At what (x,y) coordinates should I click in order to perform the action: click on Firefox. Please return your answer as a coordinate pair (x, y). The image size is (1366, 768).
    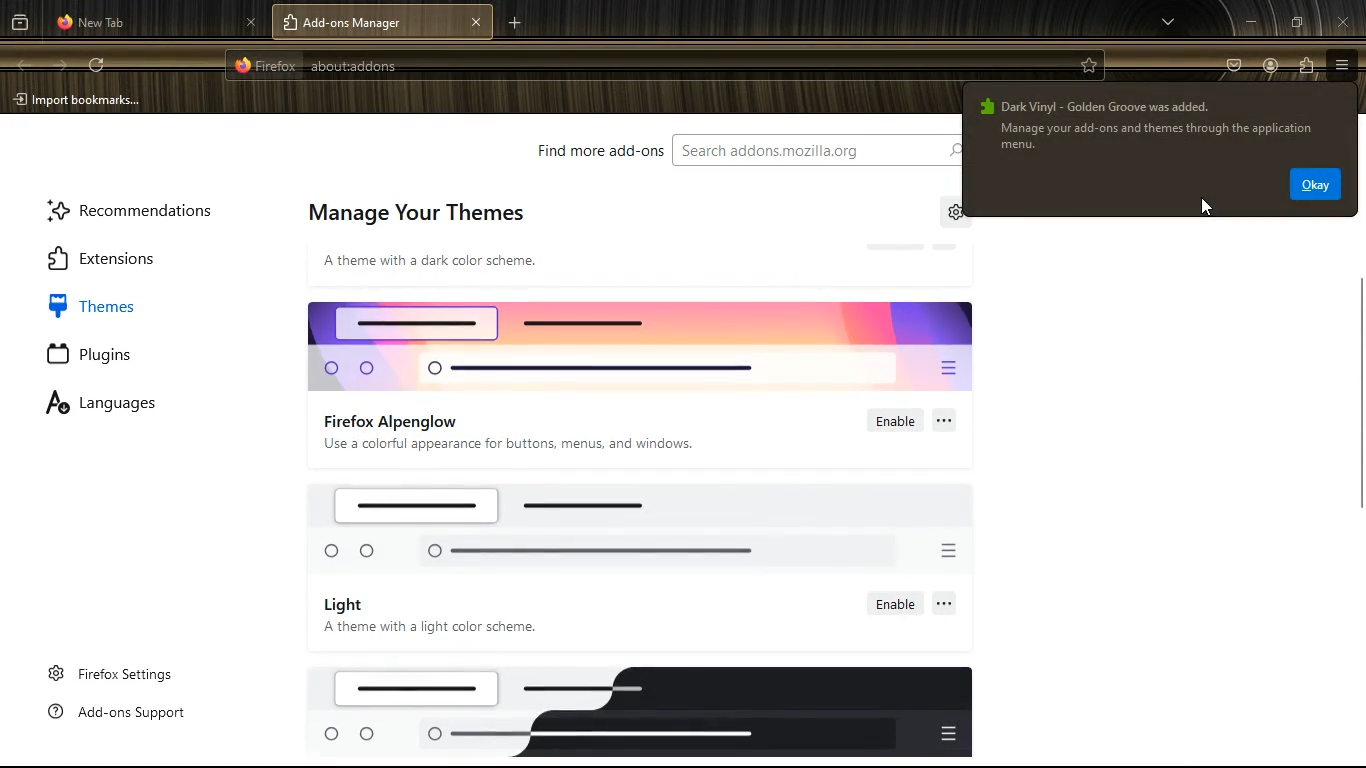
    Looking at the image, I should click on (266, 64).